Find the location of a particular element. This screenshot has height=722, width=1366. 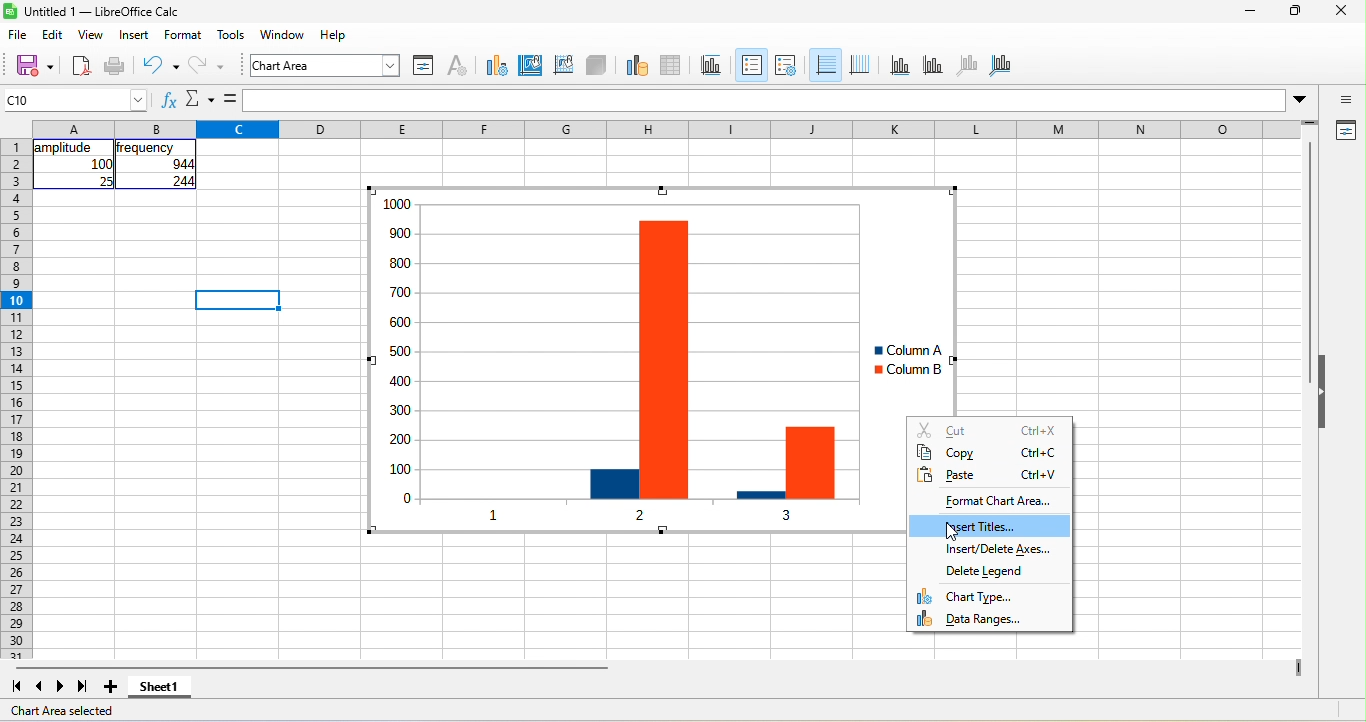

3d view is located at coordinates (596, 66).